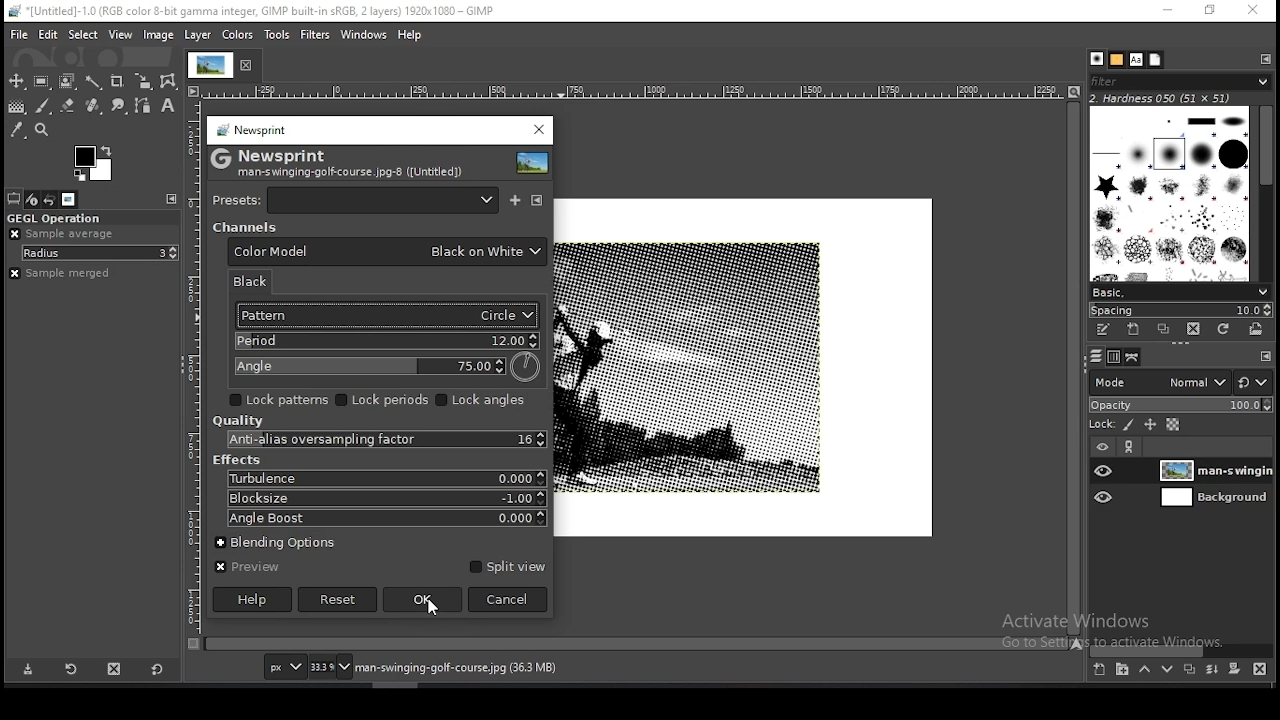 This screenshot has height=720, width=1280. What do you see at coordinates (41, 129) in the screenshot?
I see `zoom tool` at bounding box center [41, 129].